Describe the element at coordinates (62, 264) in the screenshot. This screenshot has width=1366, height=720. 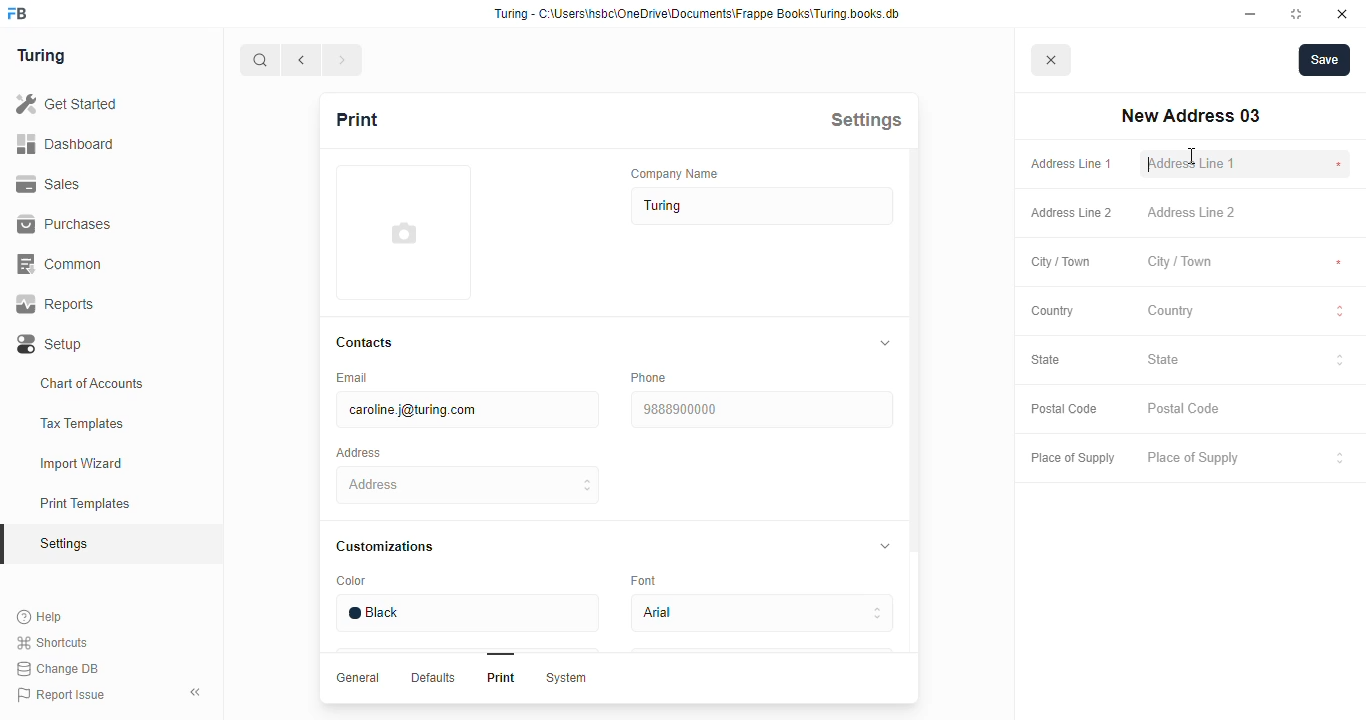
I see `common` at that location.